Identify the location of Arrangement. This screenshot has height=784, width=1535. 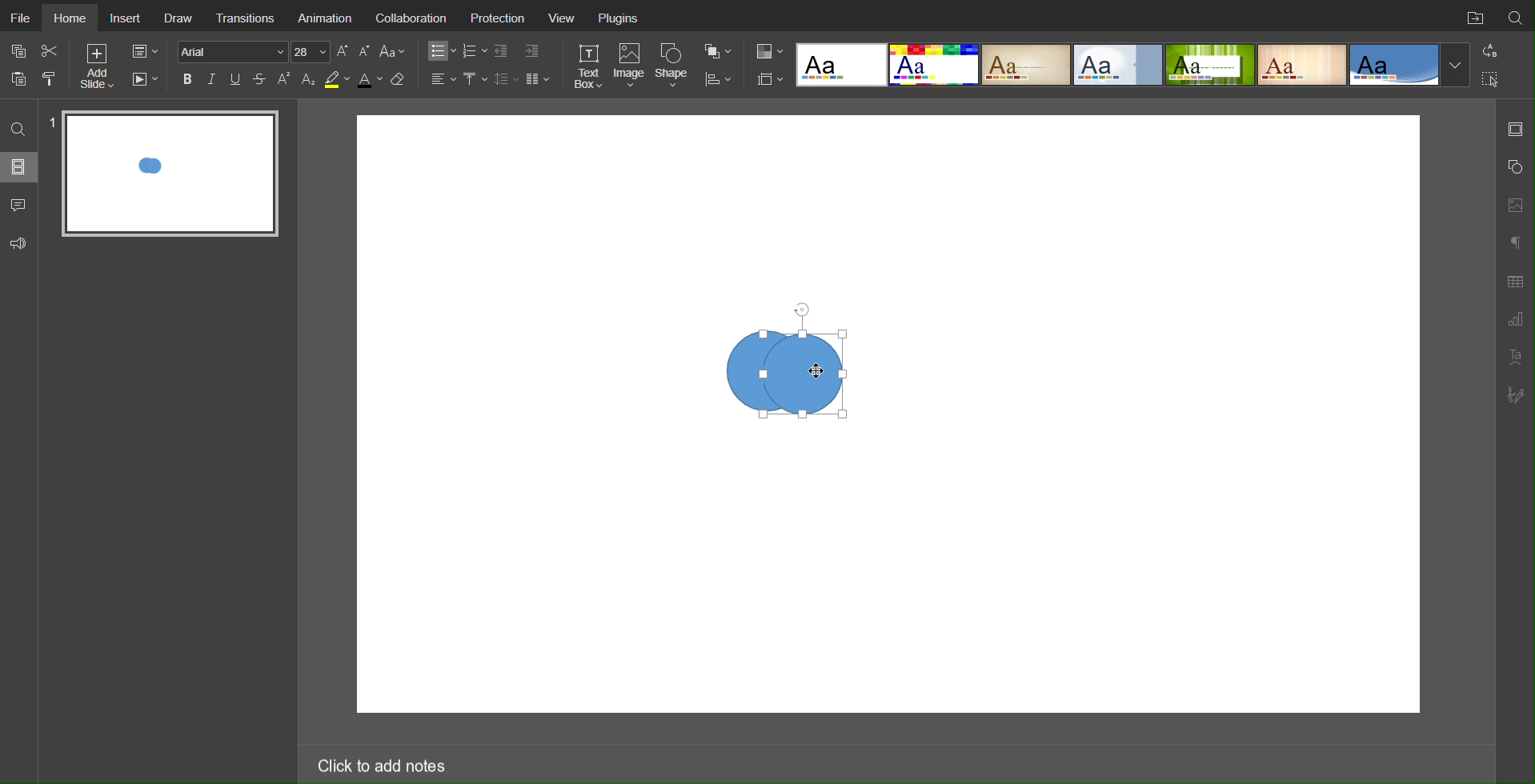
(717, 50).